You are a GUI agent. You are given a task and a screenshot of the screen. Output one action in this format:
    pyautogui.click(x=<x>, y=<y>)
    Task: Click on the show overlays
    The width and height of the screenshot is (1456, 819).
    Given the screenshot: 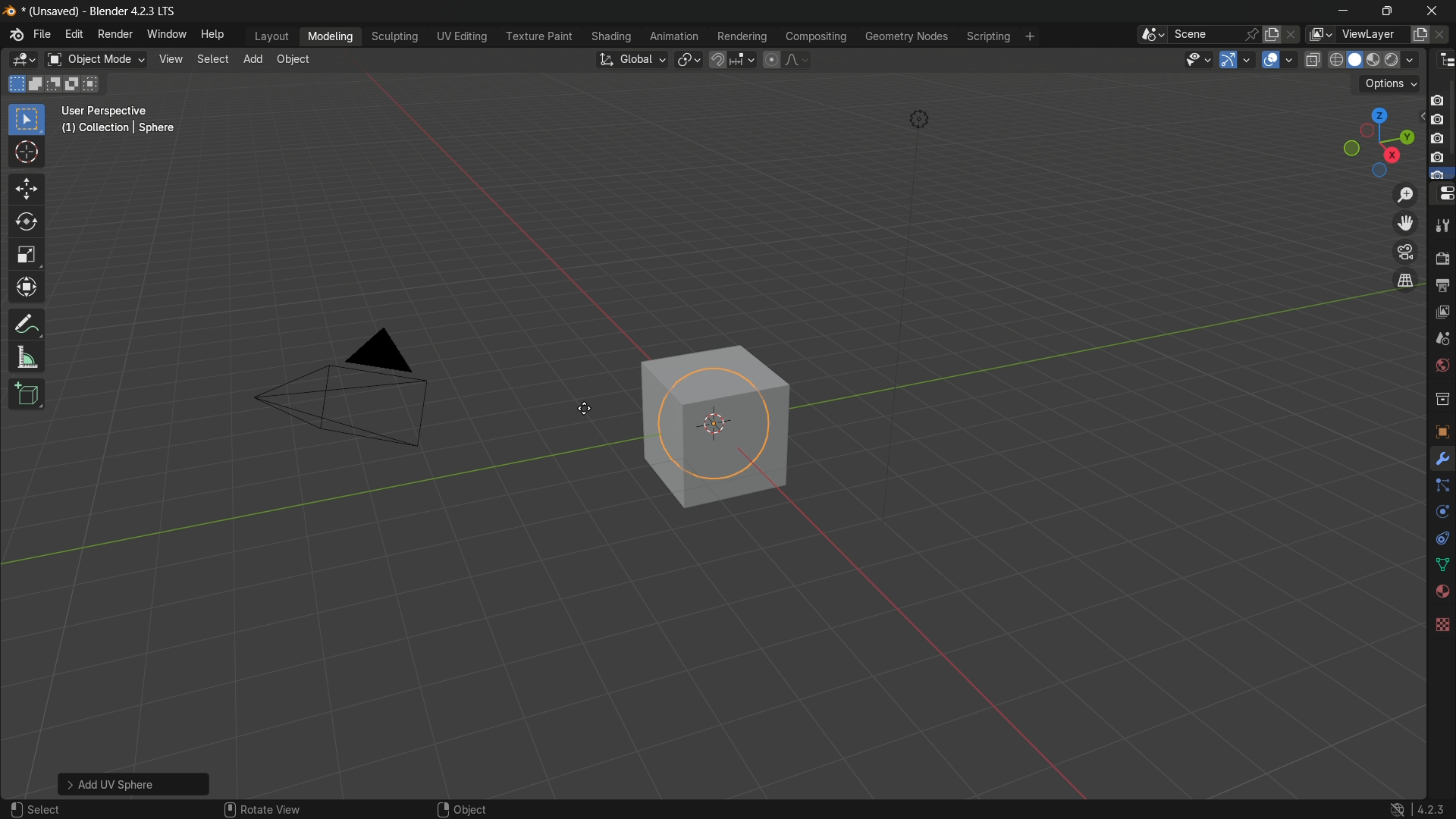 What is the action you would take?
    pyautogui.click(x=1291, y=60)
    